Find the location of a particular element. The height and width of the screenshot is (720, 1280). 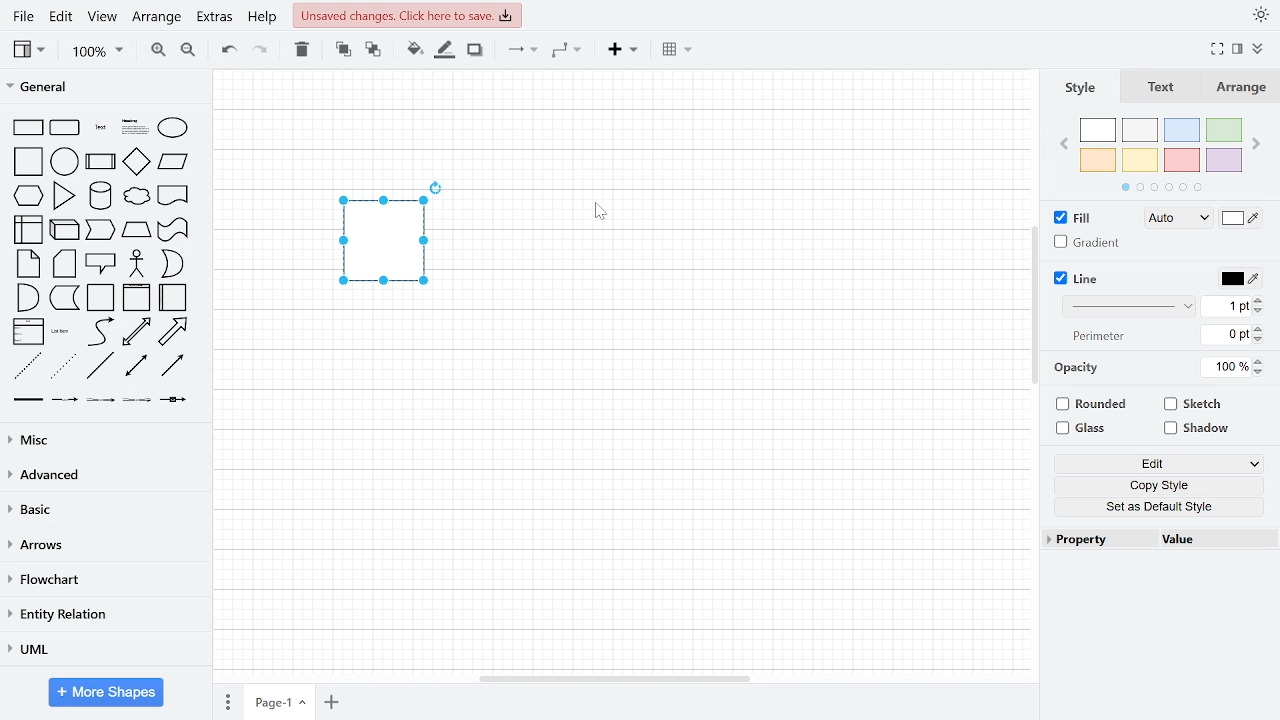

increase perimeter is located at coordinates (1259, 328).